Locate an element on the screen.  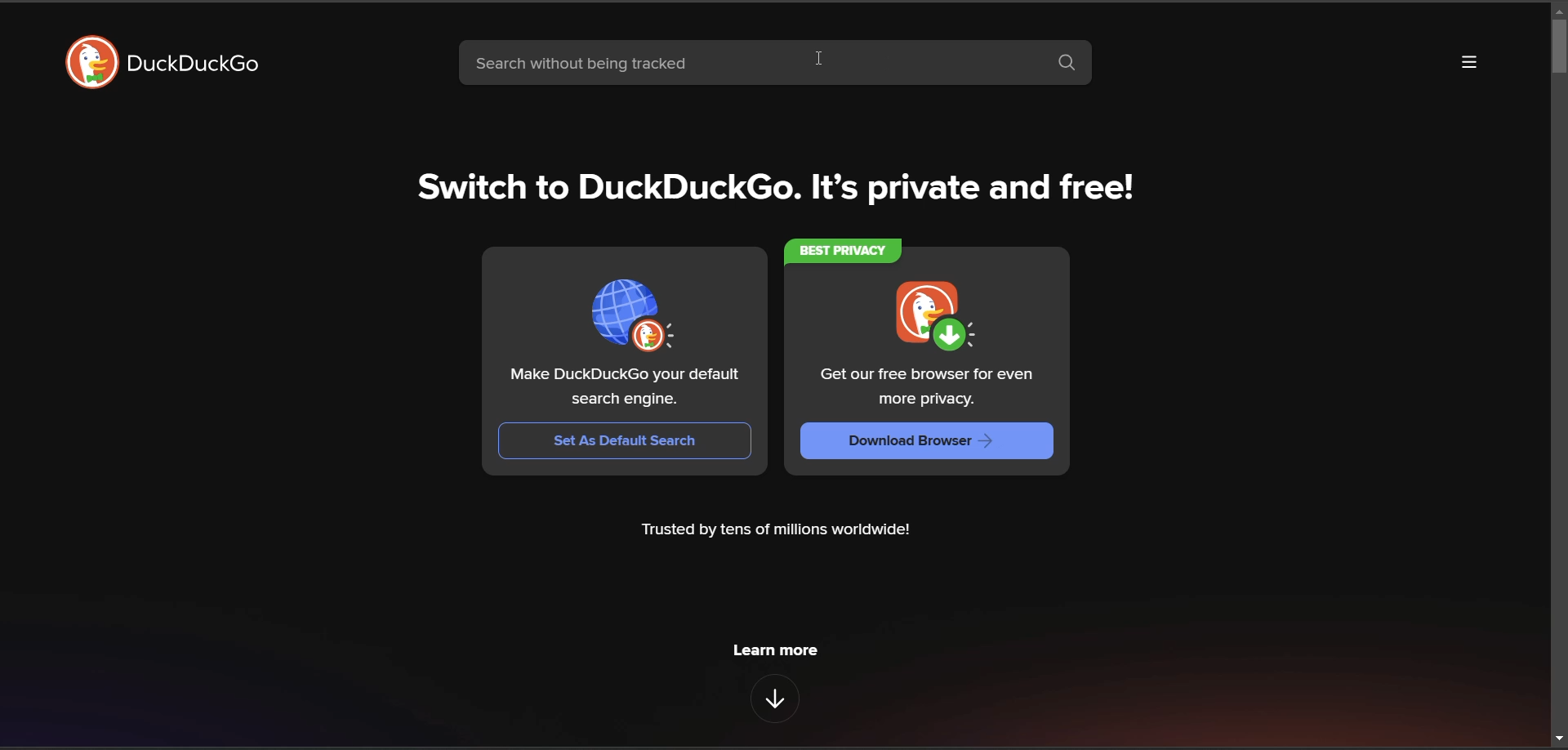
logo and title is located at coordinates (171, 65).